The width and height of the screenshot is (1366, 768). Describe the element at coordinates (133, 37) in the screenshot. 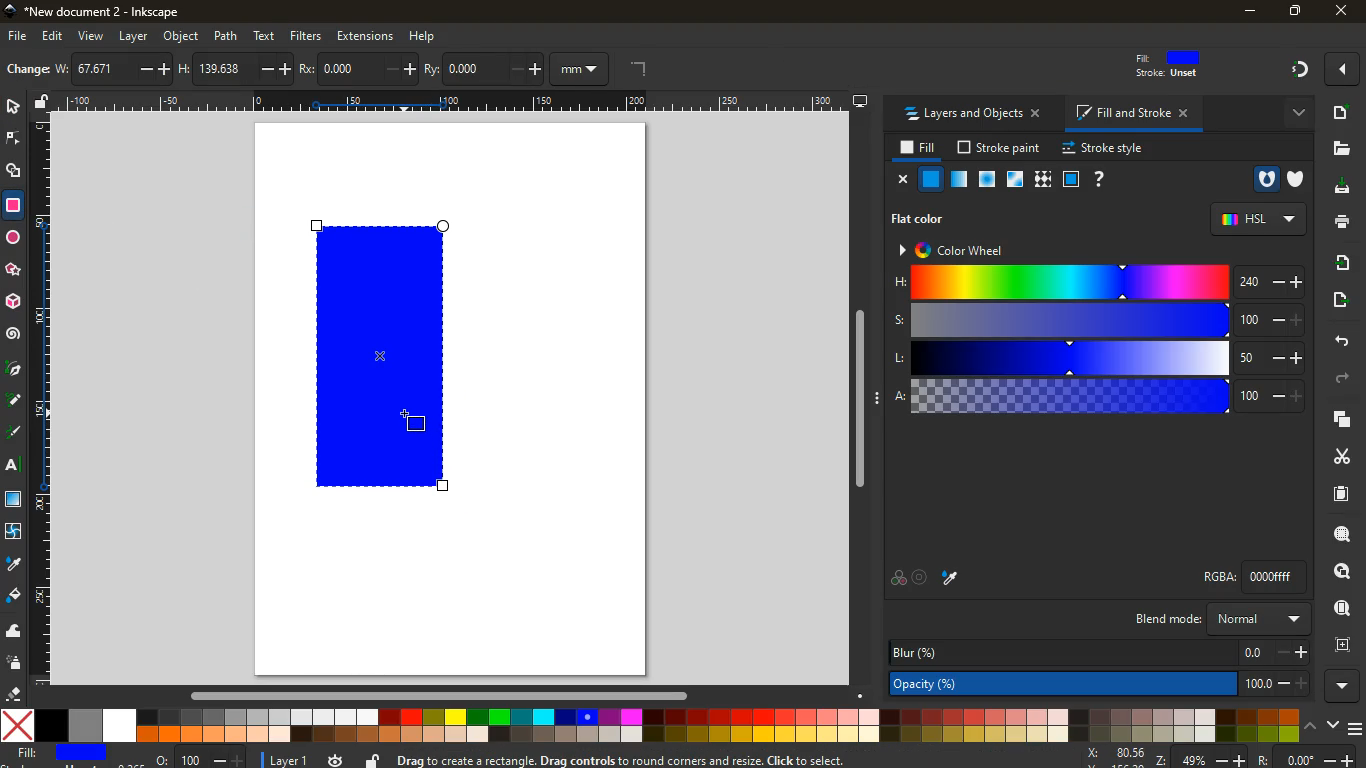

I see `layer` at that location.